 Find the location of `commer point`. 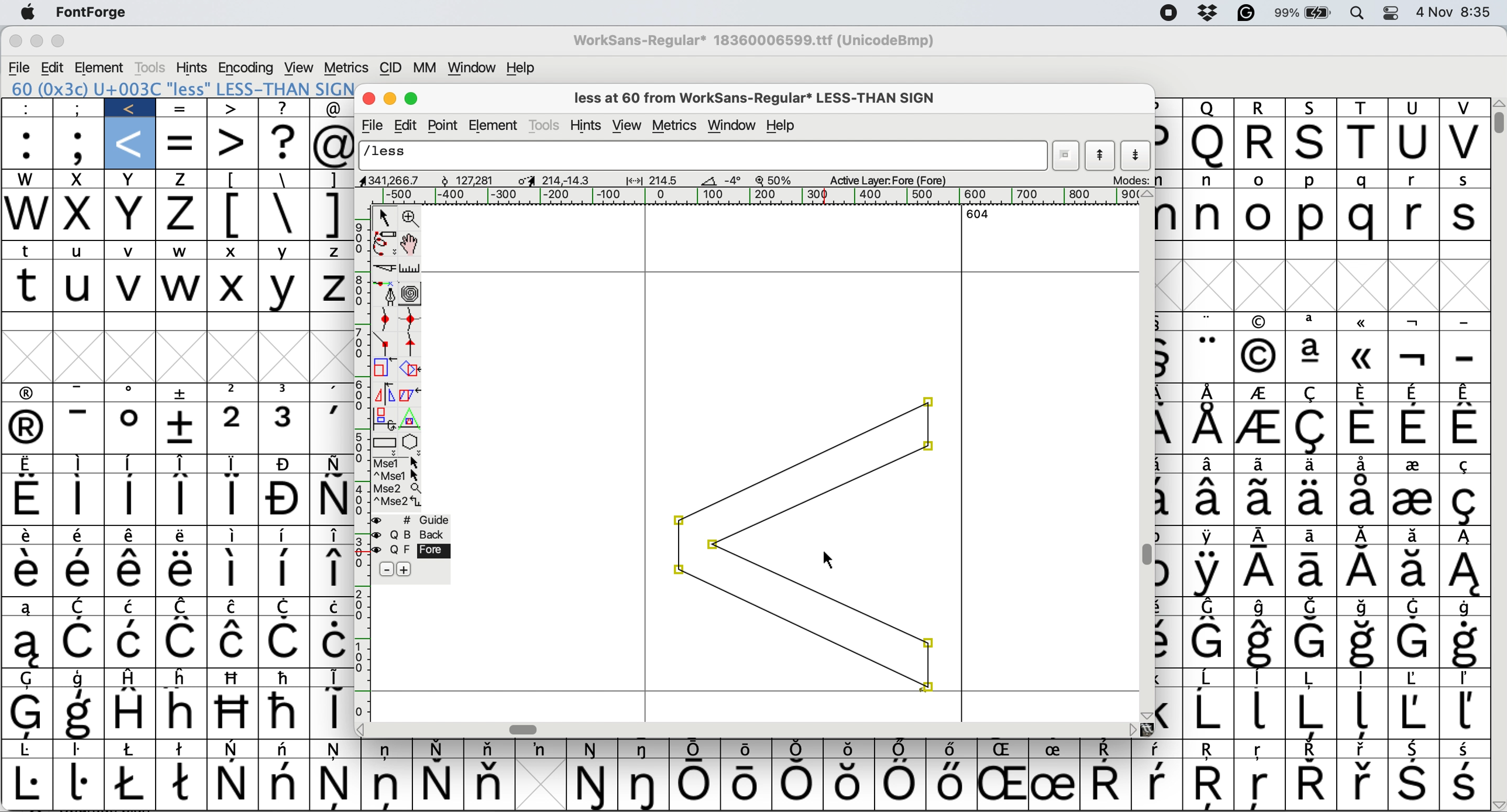

commer point is located at coordinates (387, 345).